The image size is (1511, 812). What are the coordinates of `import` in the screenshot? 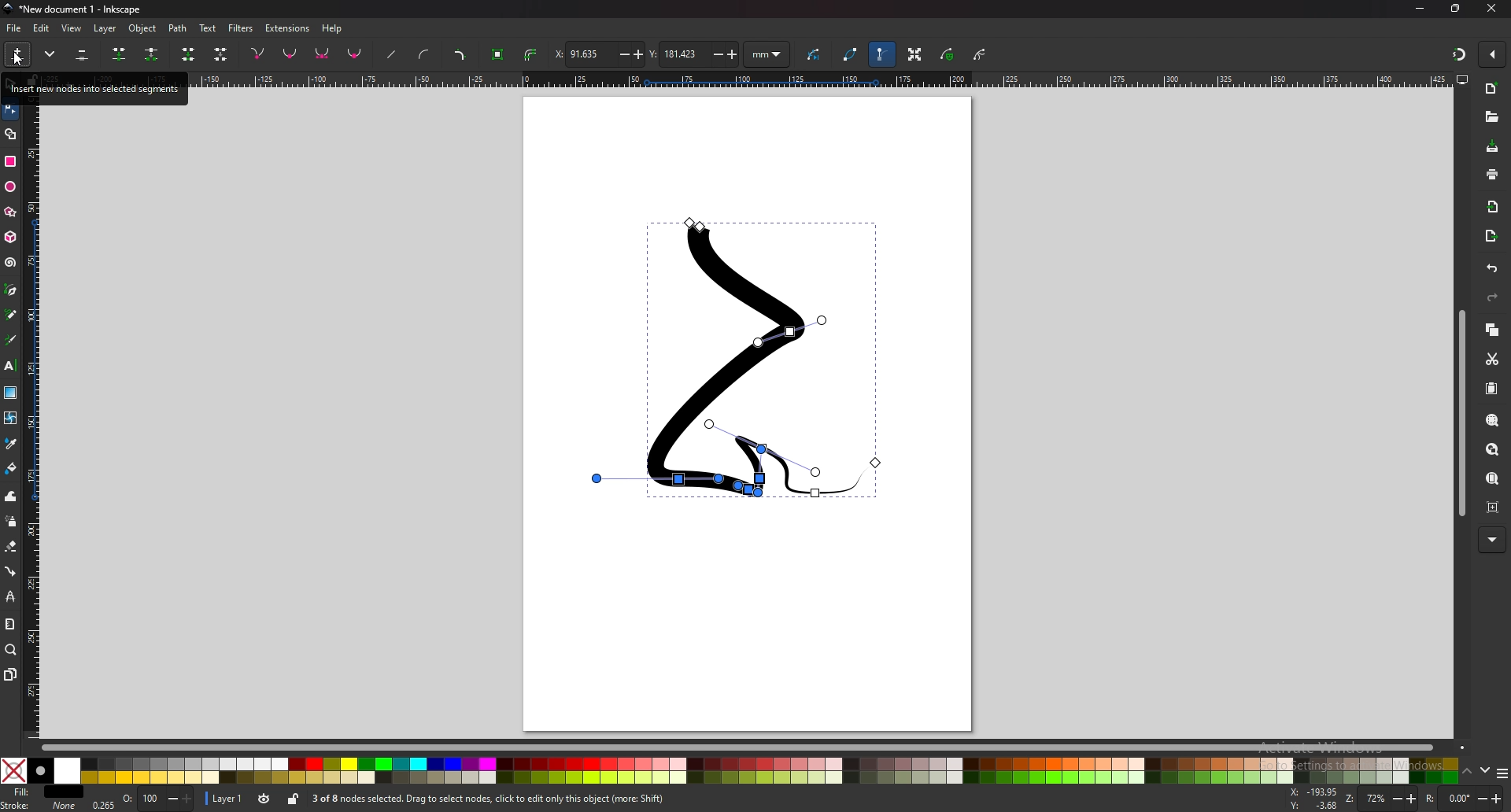 It's located at (1493, 206).